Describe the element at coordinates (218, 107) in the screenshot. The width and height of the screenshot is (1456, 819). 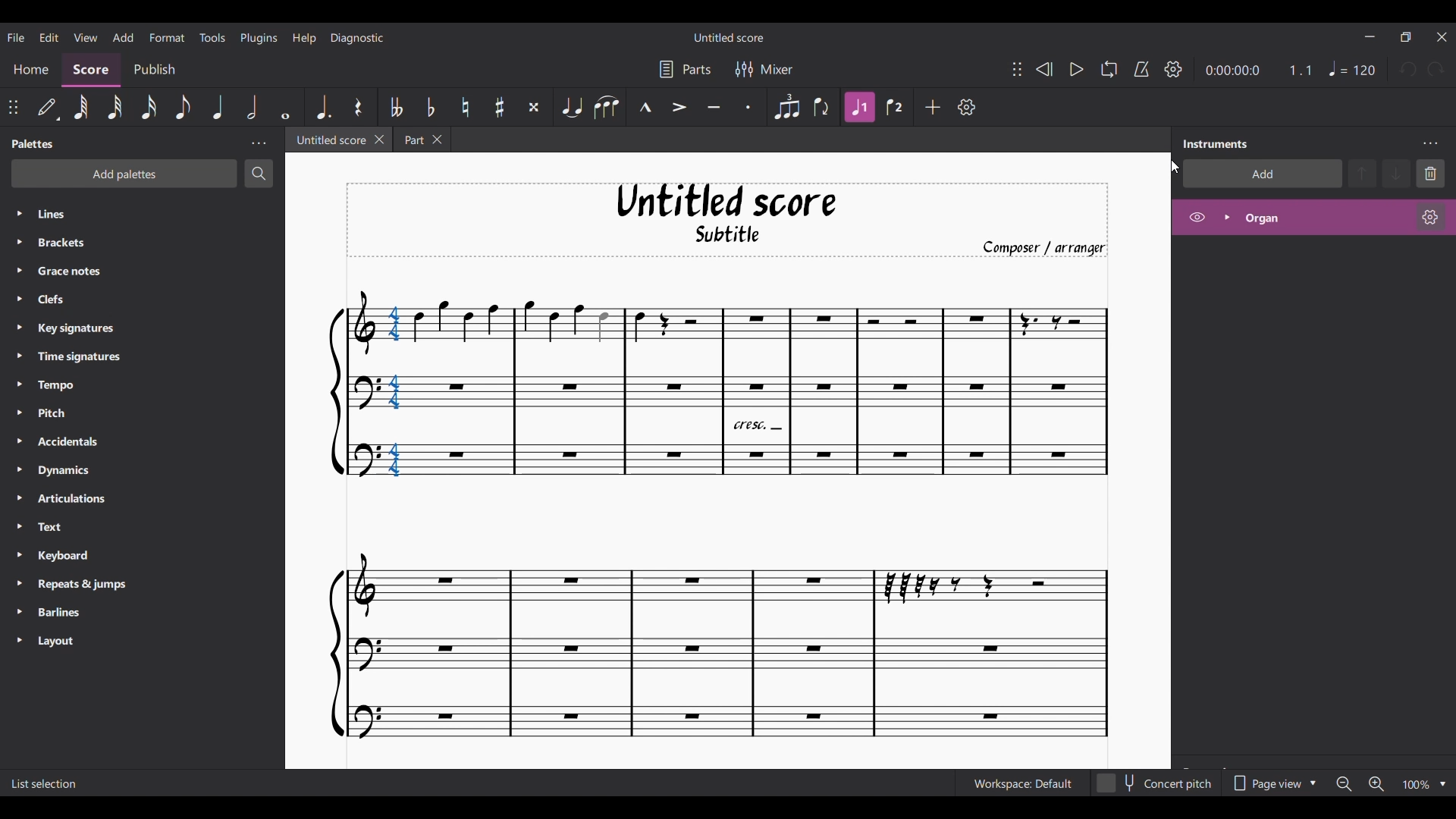
I see `Quarter note` at that location.